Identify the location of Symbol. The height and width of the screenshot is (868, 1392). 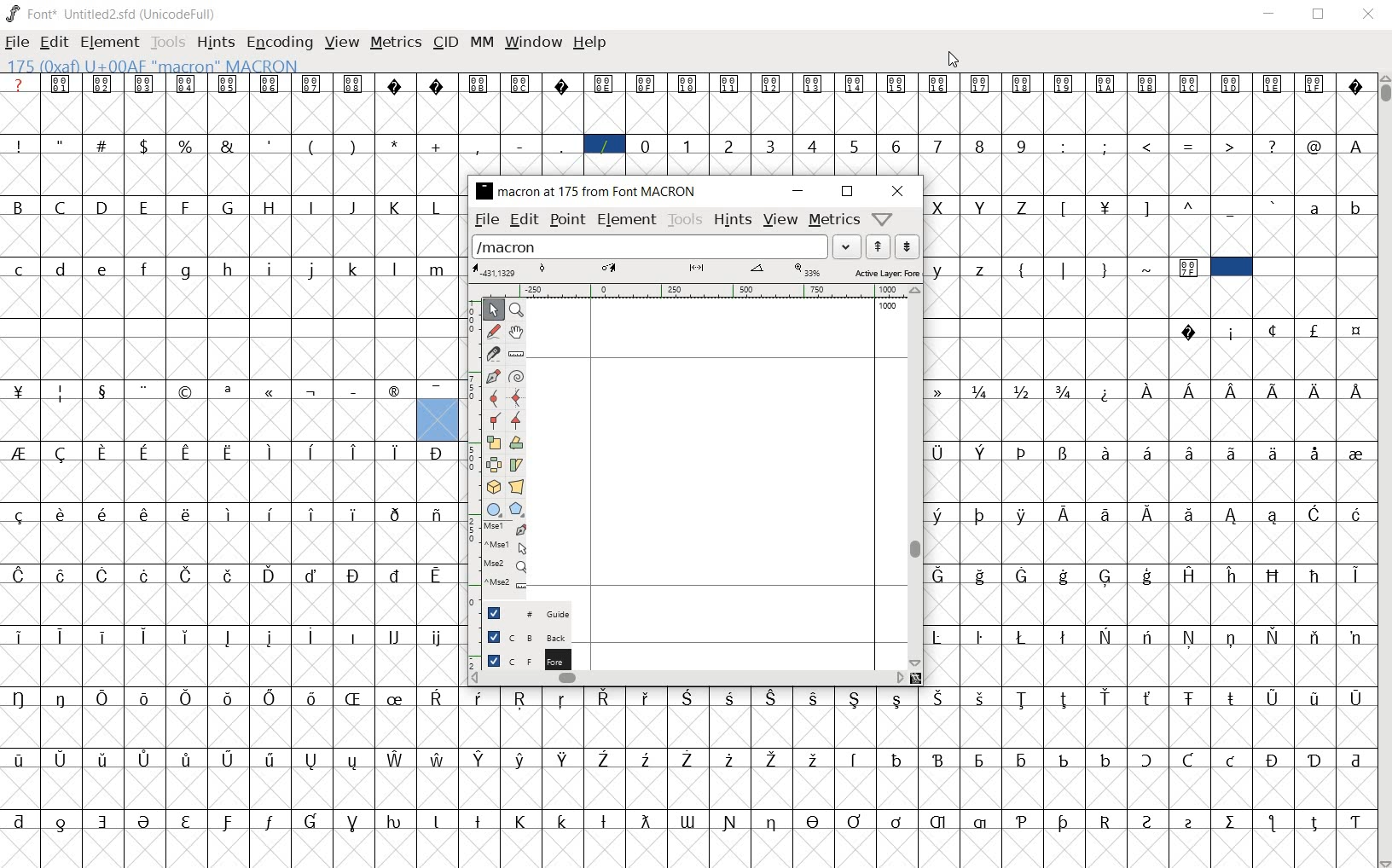
(896, 758).